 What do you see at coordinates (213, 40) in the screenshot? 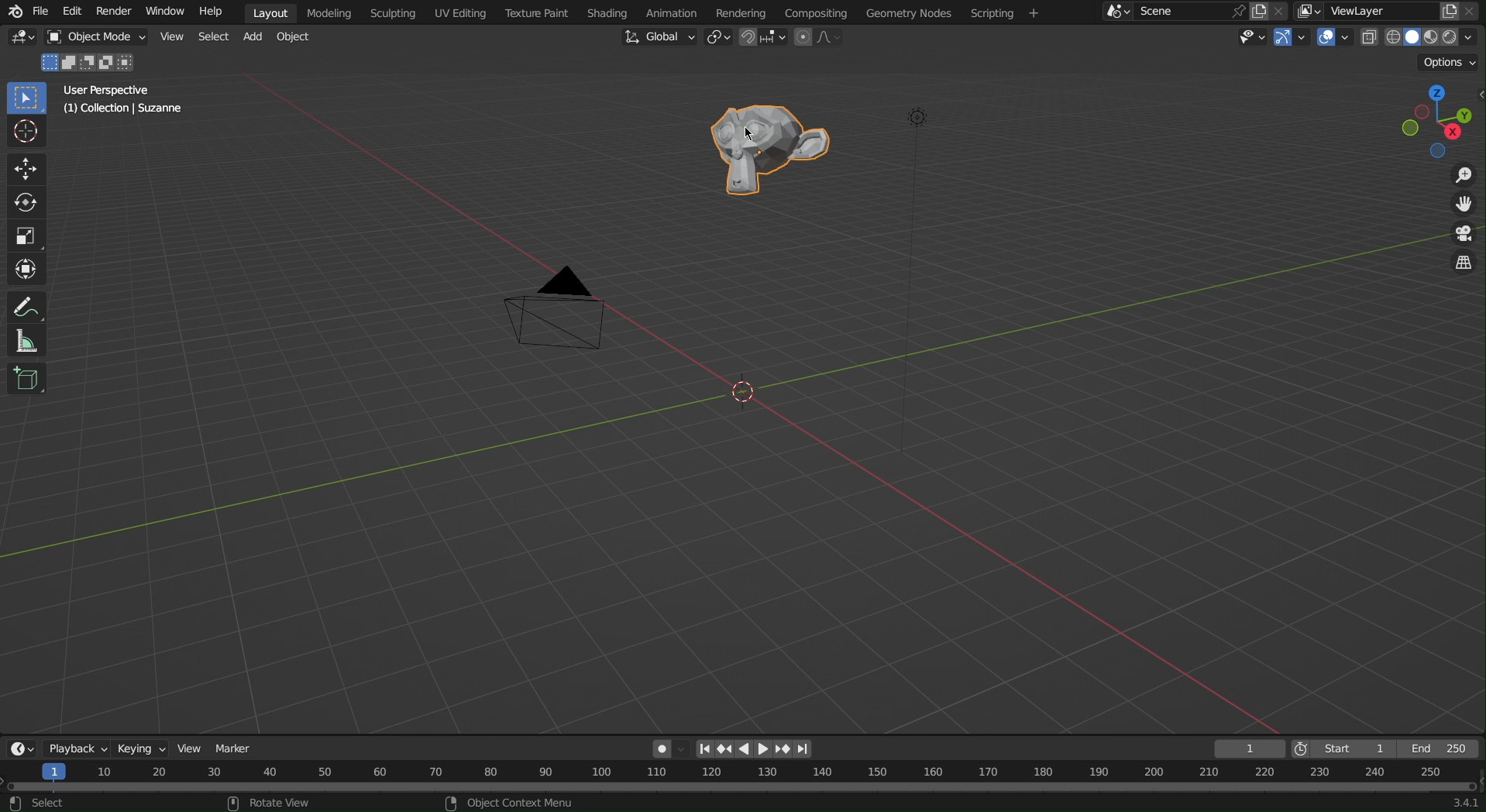
I see `Select` at bounding box center [213, 40].